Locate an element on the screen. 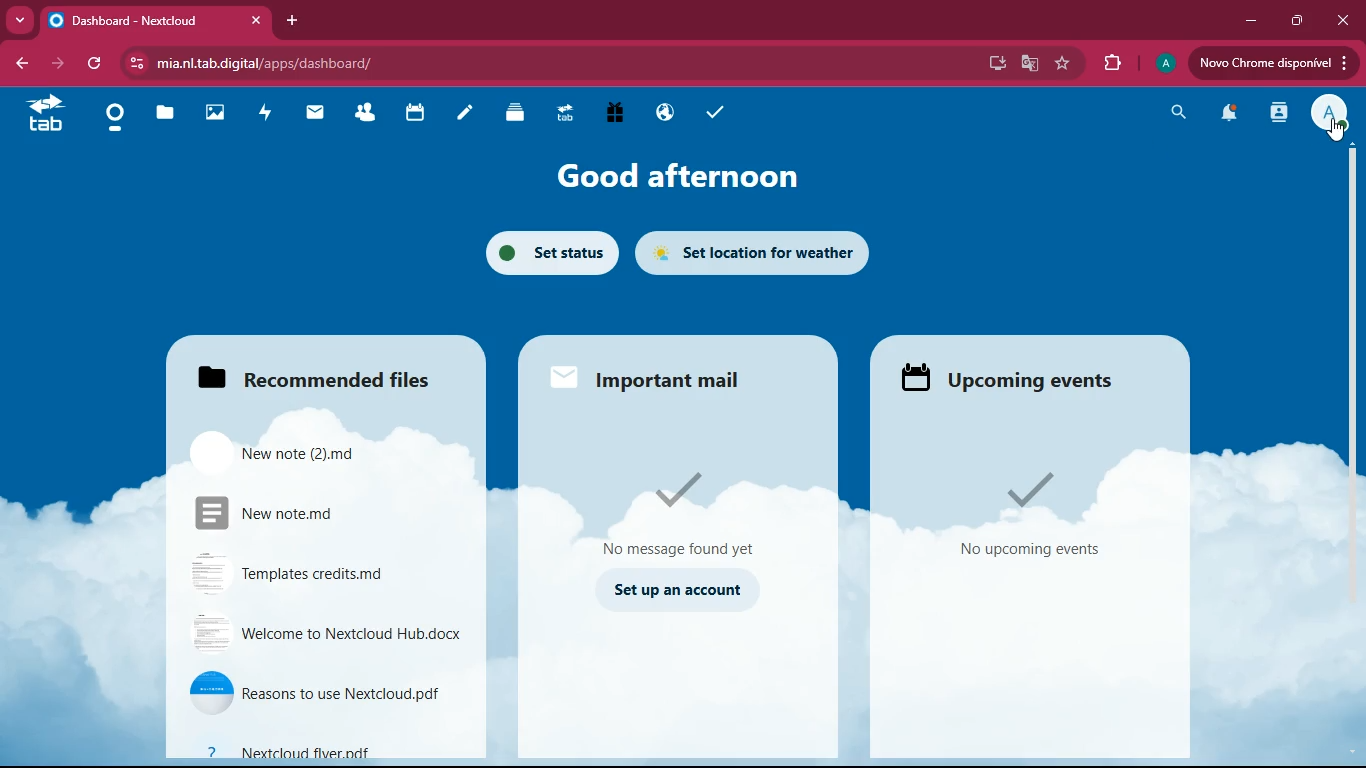 The image size is (1366, 768). upcoming events is located at coordinates (1024, 376).